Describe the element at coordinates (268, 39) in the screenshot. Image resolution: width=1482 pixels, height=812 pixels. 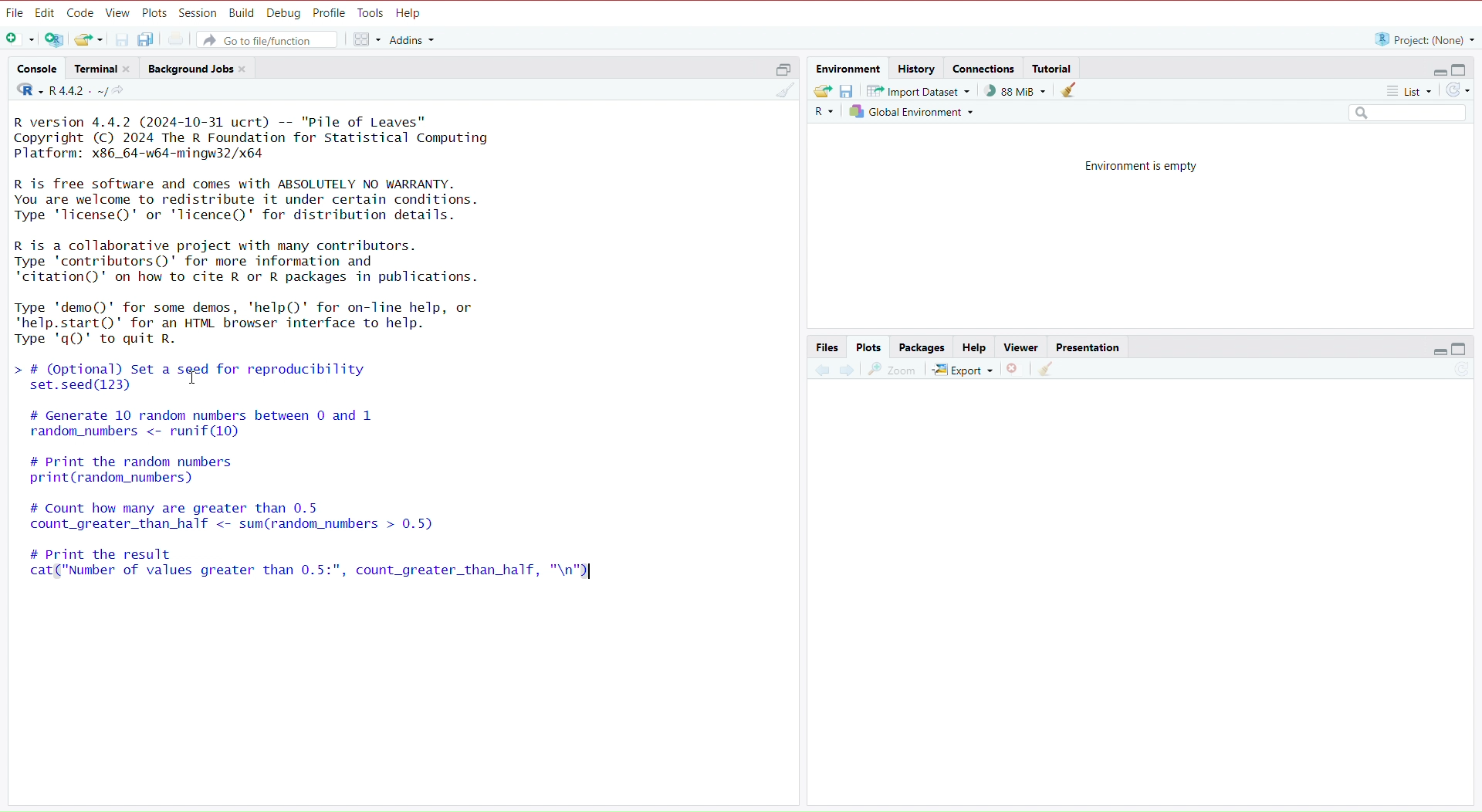
I see `Go to file/function` at that location.